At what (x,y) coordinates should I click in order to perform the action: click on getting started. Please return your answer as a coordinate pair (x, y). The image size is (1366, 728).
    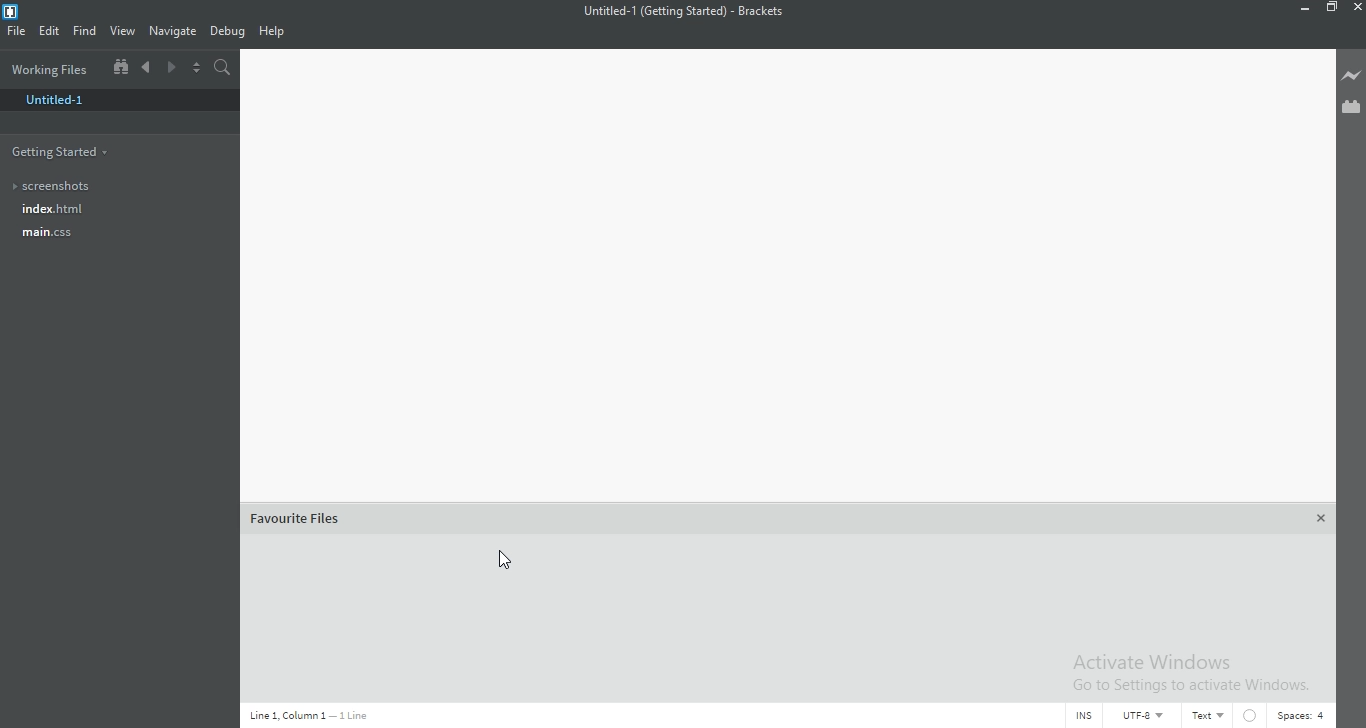
    Looking at the image, I should click on (116, 148).